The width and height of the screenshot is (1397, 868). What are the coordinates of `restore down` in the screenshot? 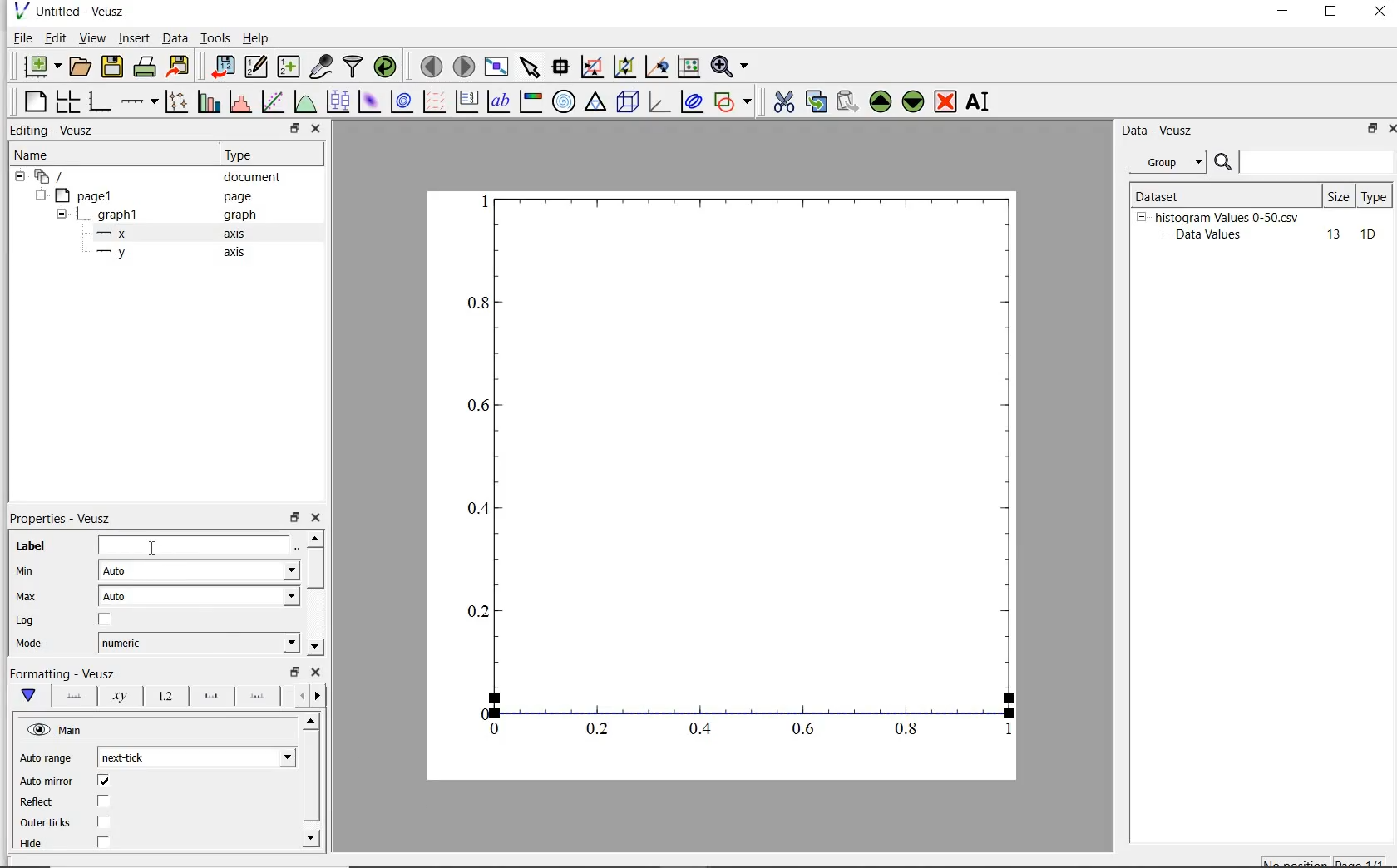 It's located at (294, 129).